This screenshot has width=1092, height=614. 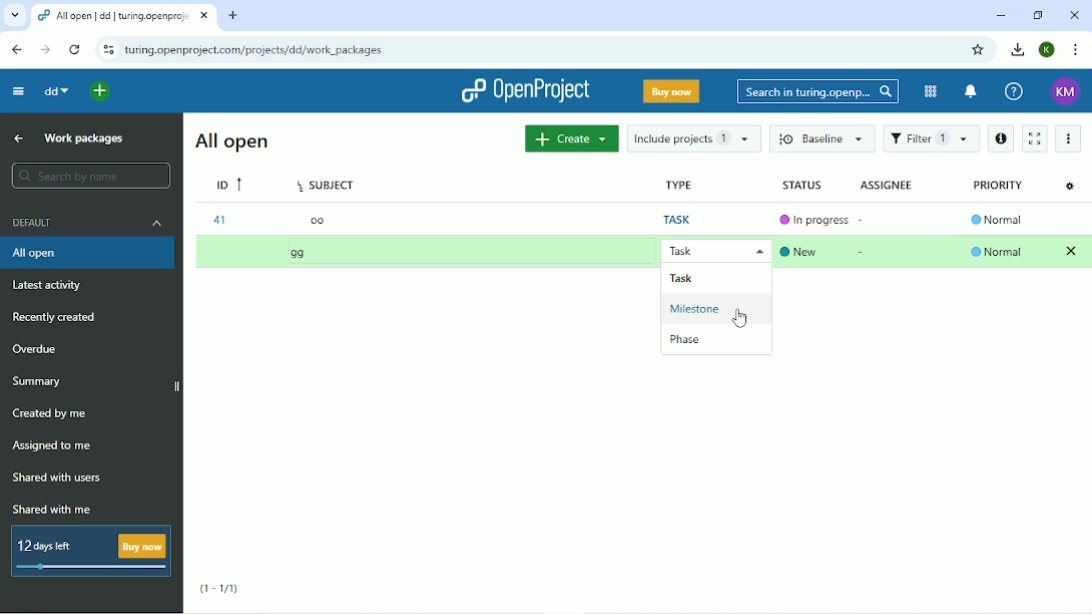 What do you see at coordinates (999, 185) in the screenshot?
I see `Priority` at bounding box center [999, 185].